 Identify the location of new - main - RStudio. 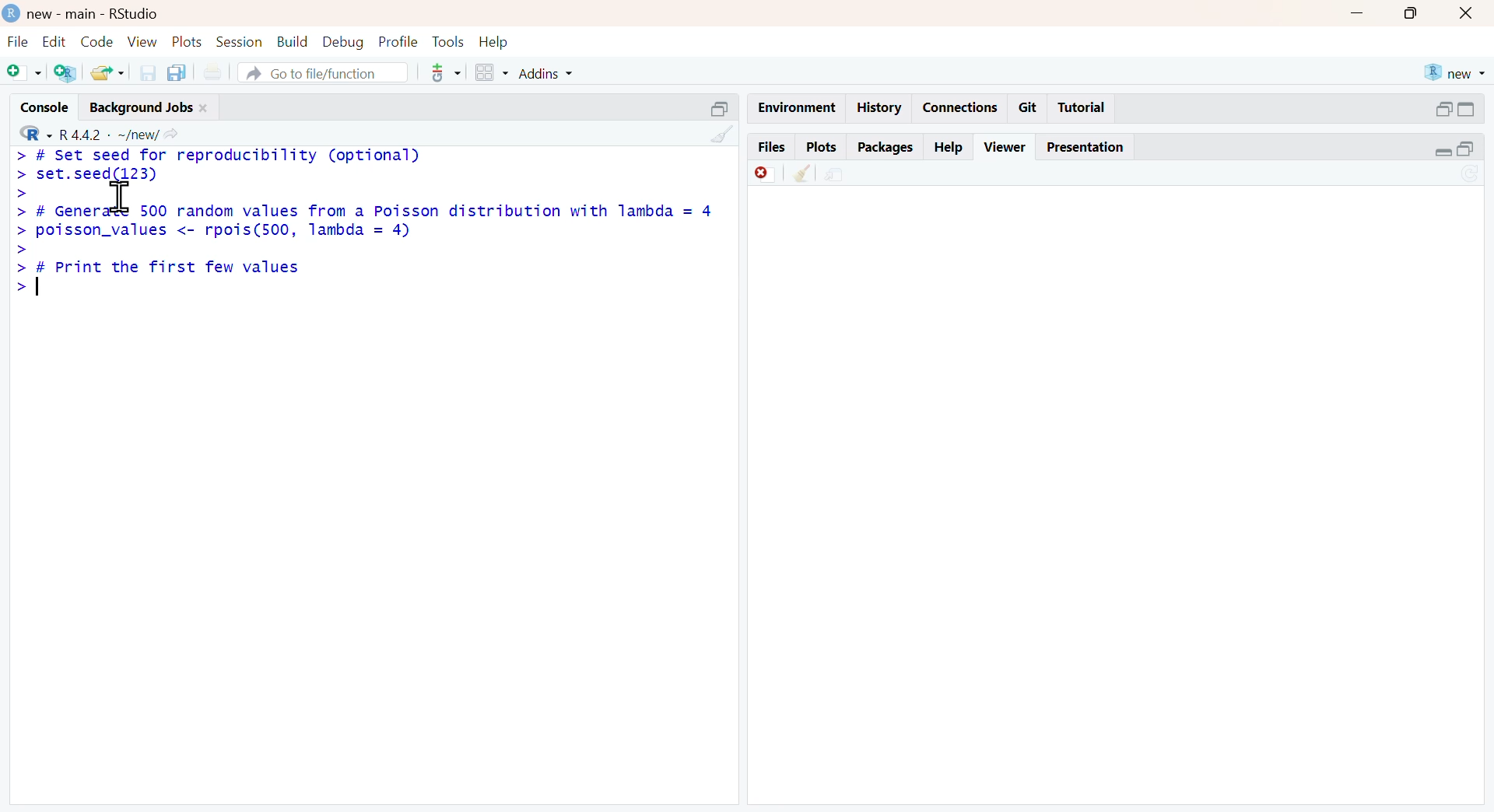
(93, 15).